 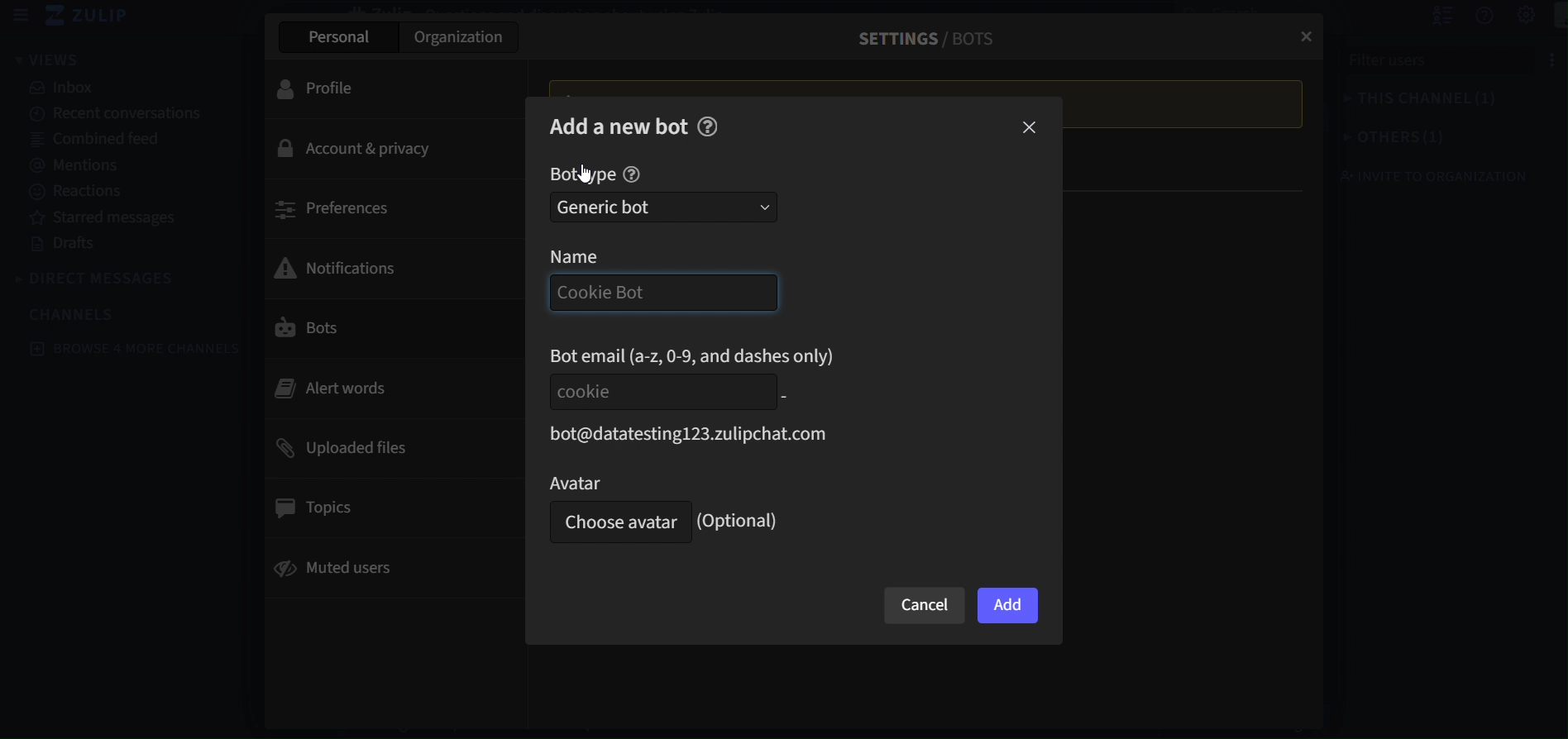 What do you see at coordinates (388, 508) in the screenshot?
I see `topics` at bounding box center [388, 508].